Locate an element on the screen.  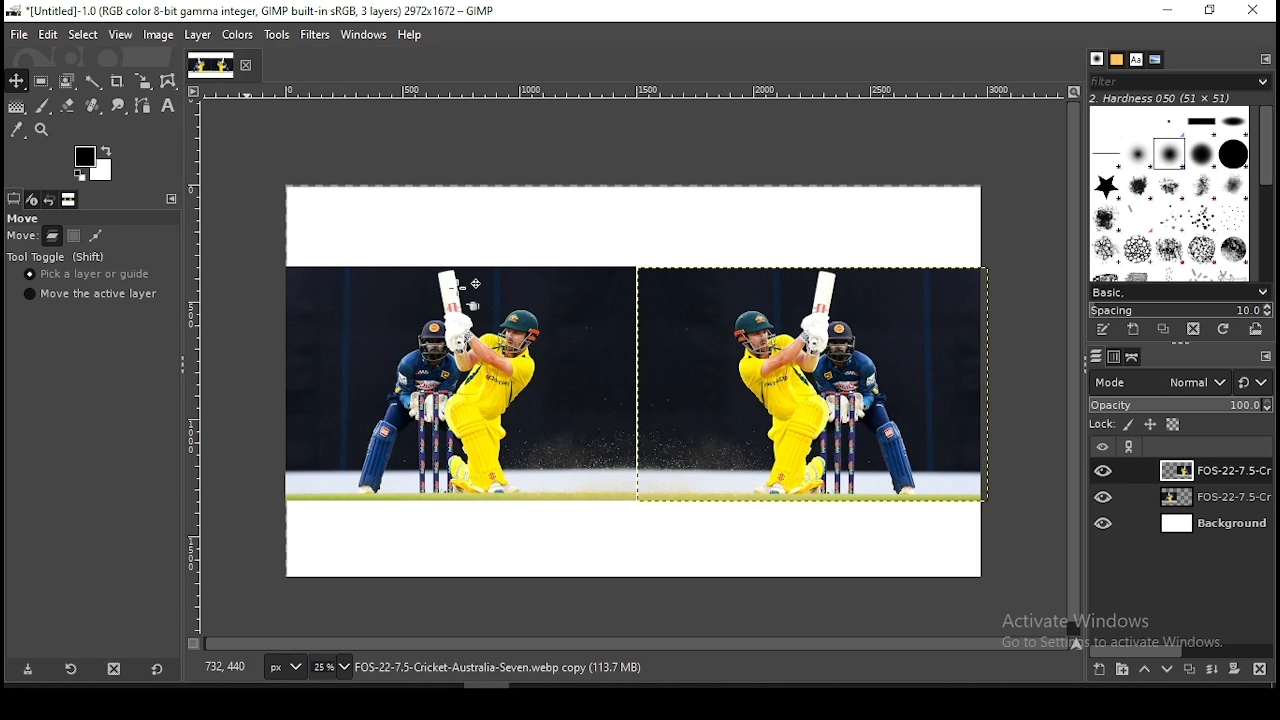
tool options is located at coordinates (14, 198).